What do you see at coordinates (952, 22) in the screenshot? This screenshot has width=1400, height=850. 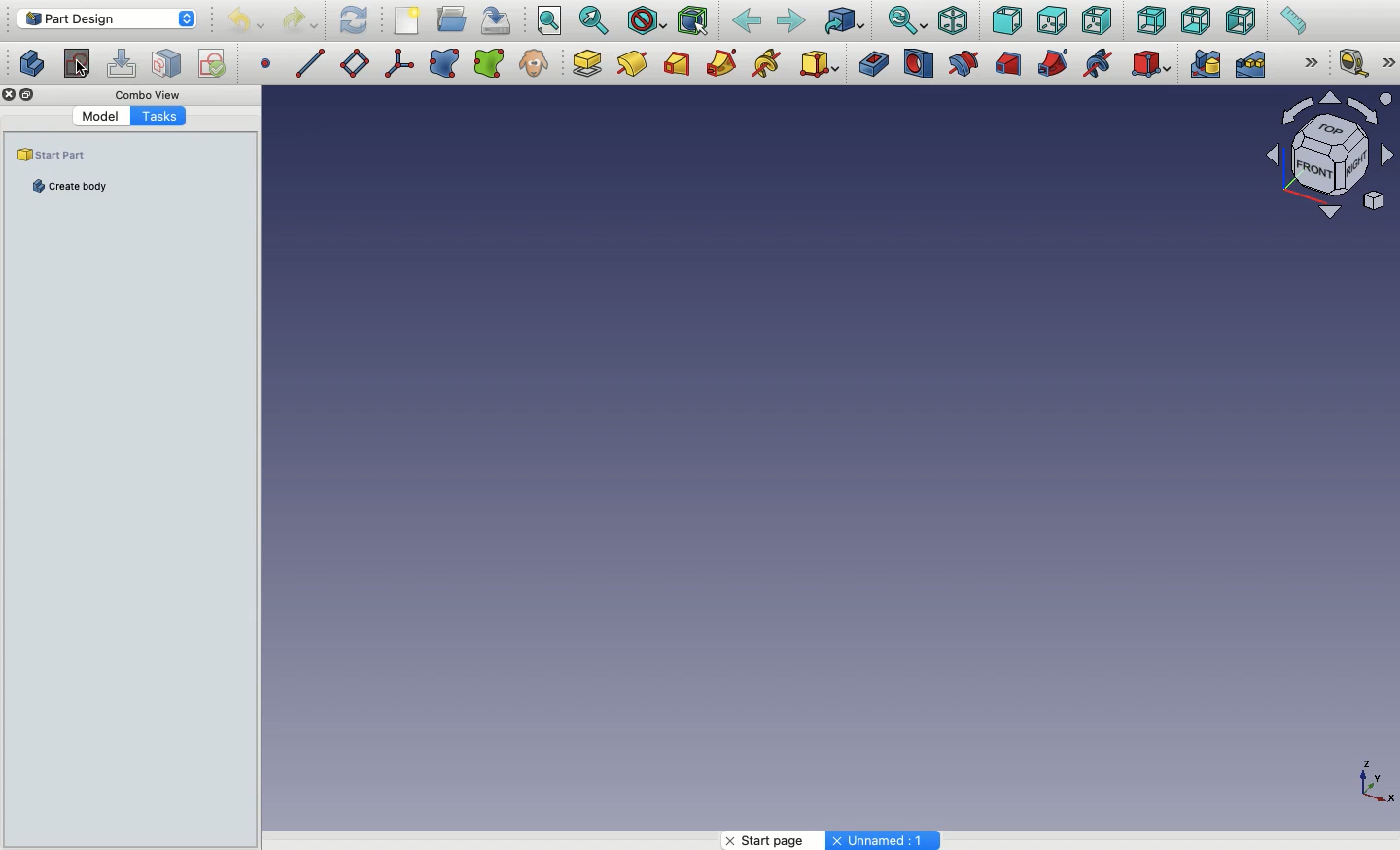 I see `Isometric` at bounding box center [952, 22].